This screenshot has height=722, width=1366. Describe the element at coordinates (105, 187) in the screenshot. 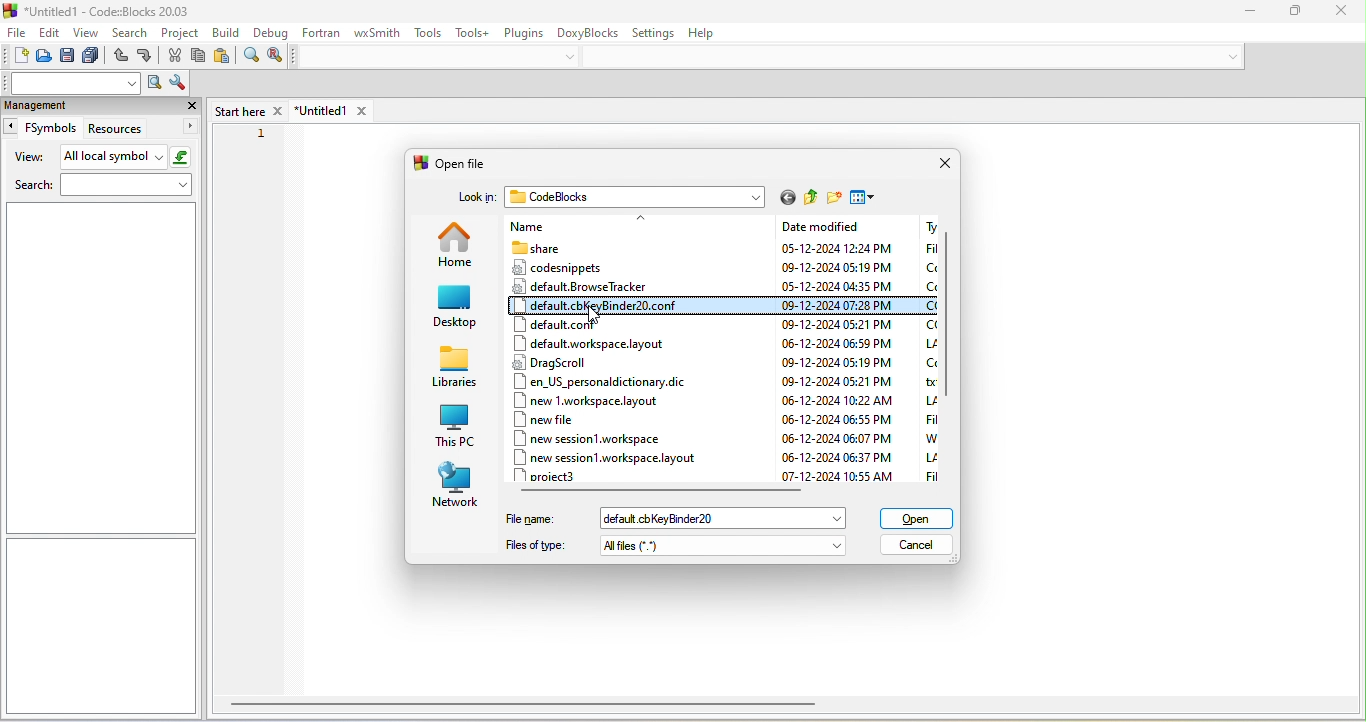

I see `search` at that location.